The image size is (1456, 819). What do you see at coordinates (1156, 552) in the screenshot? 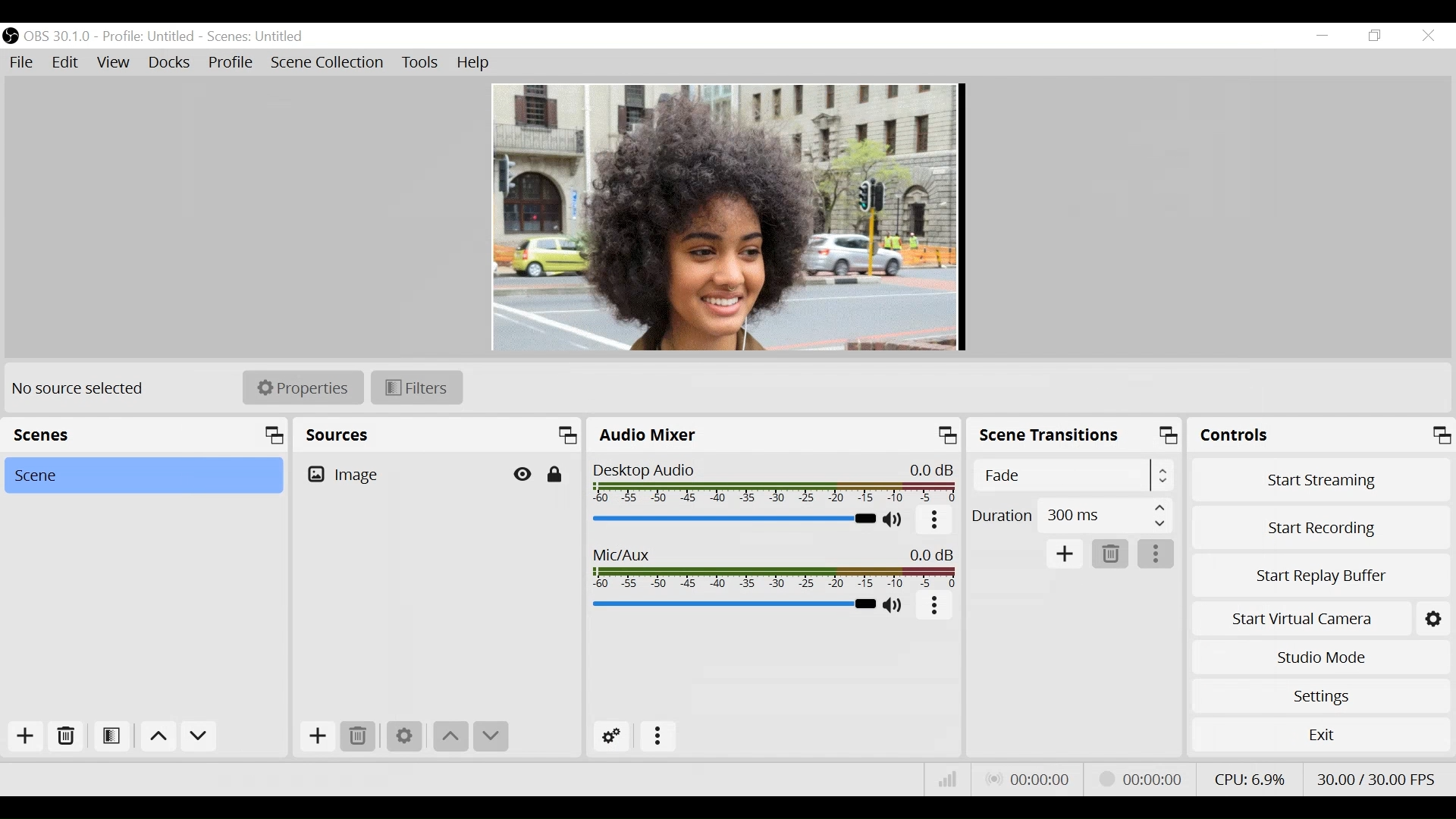
I see `more options` at bounding box center [1156, 552].